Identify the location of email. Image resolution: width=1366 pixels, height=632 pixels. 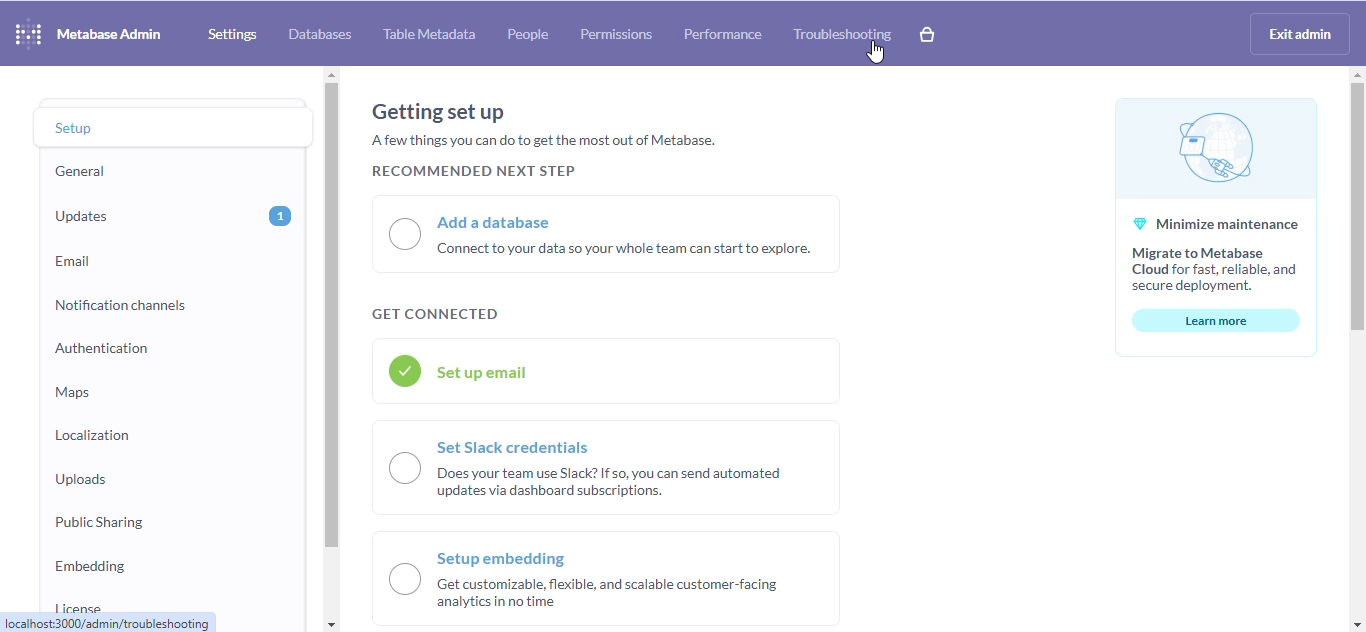
(75, 262).